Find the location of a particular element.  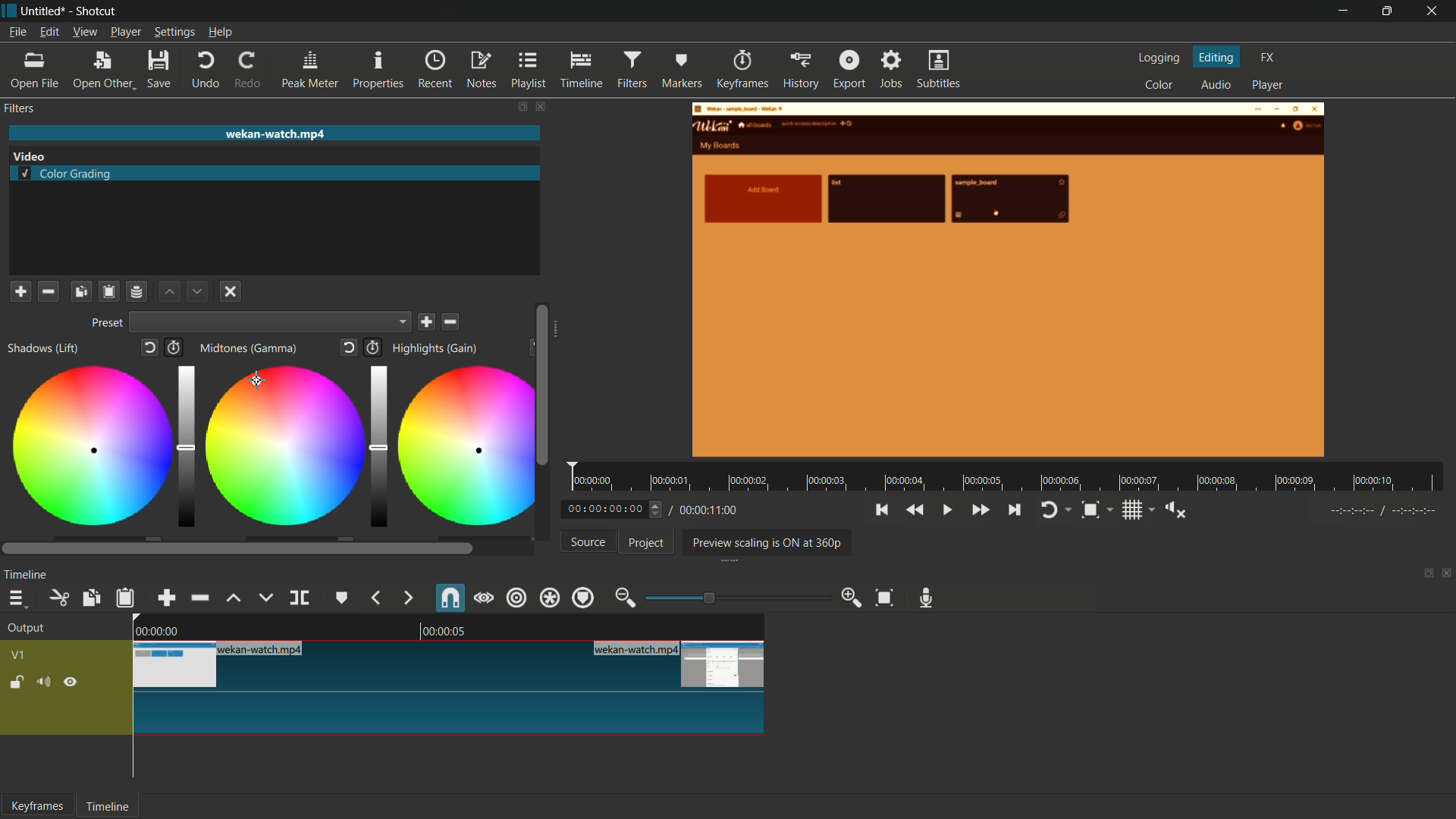

create or edit marker is located at coordinates (340, 598).